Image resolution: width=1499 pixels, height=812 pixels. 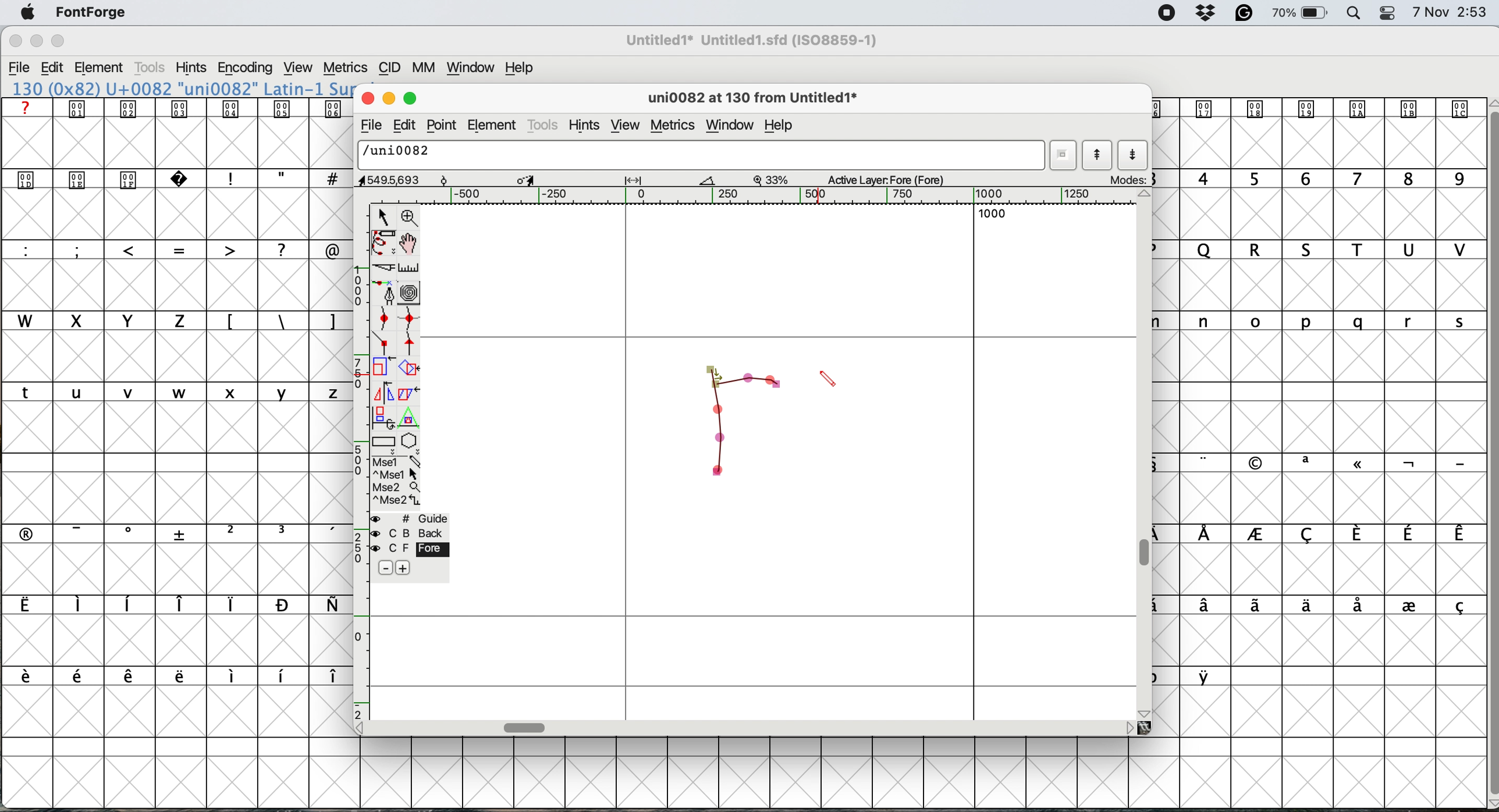 I want to click on special icons, so click(x=1316, y=109).